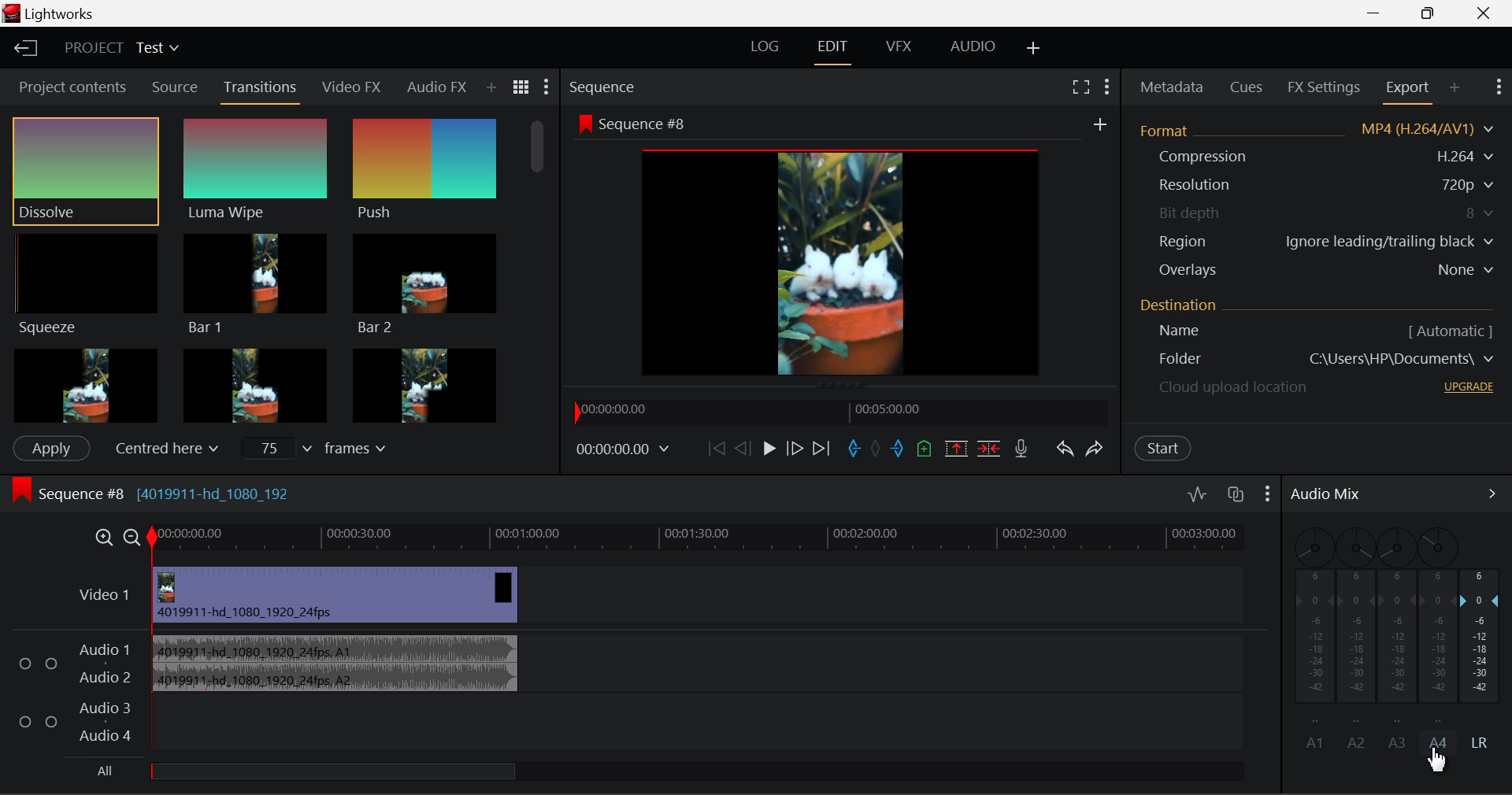  Describe the element at coordinates (1315, 213) in the screenshot. I see `Bit depth` at that location.